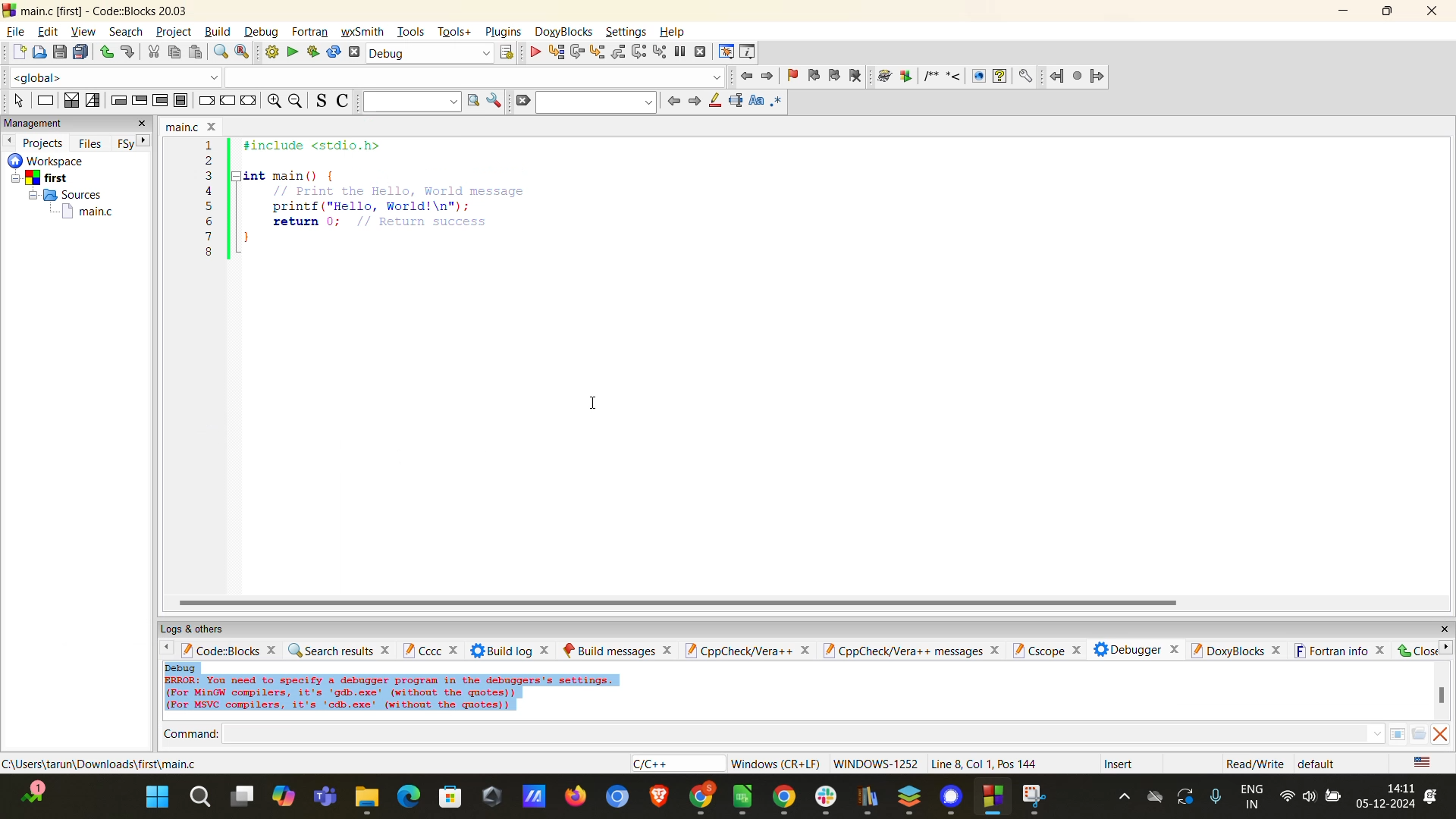 Image resolution: width=1456 pixels, height=819 pixels. I want to click on stop debugger, so click(701, 52).